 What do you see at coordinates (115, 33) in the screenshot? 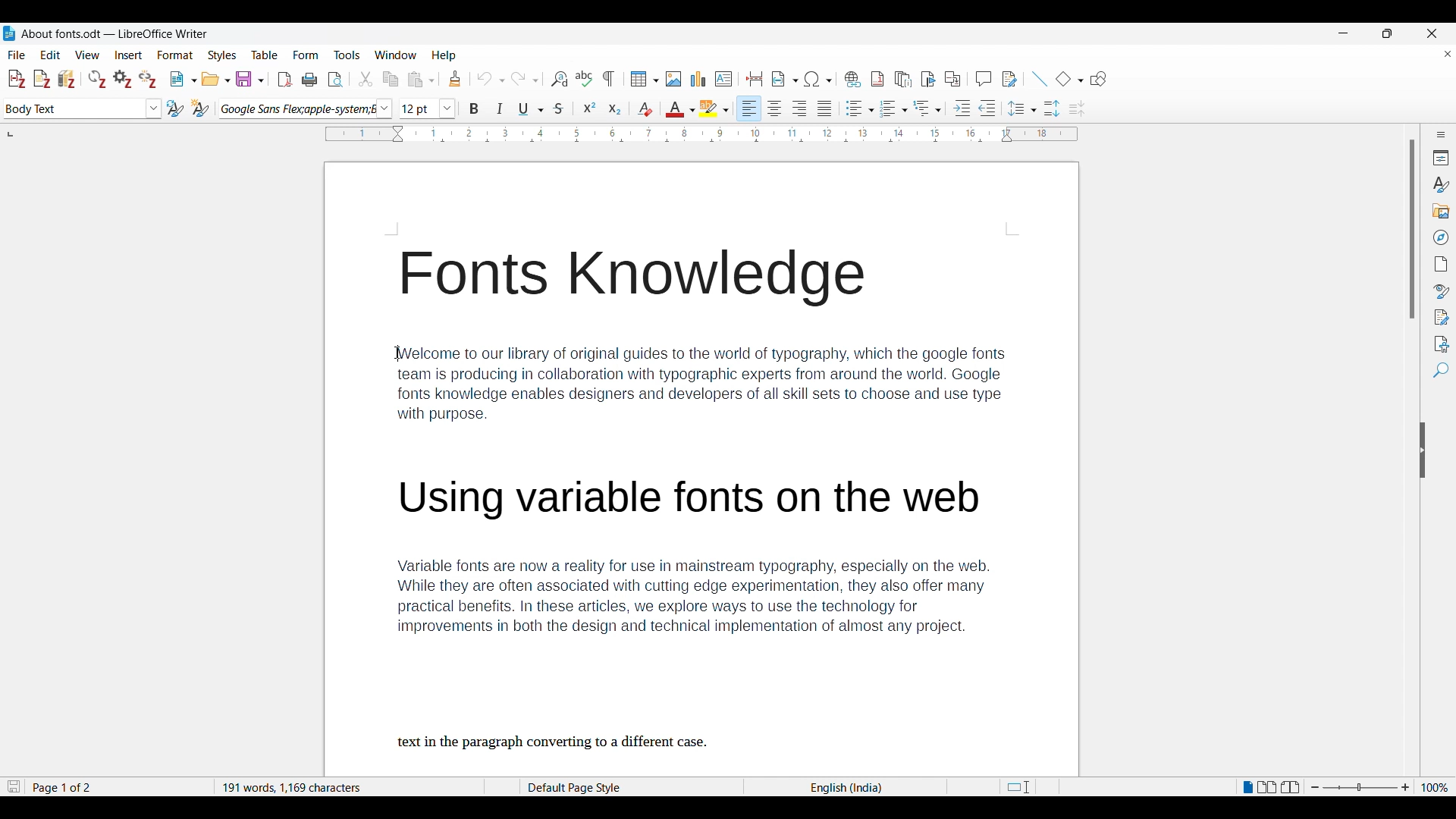
I see `About fonts.odt - LibreOffice Writer` at bounding box center [115, 33].